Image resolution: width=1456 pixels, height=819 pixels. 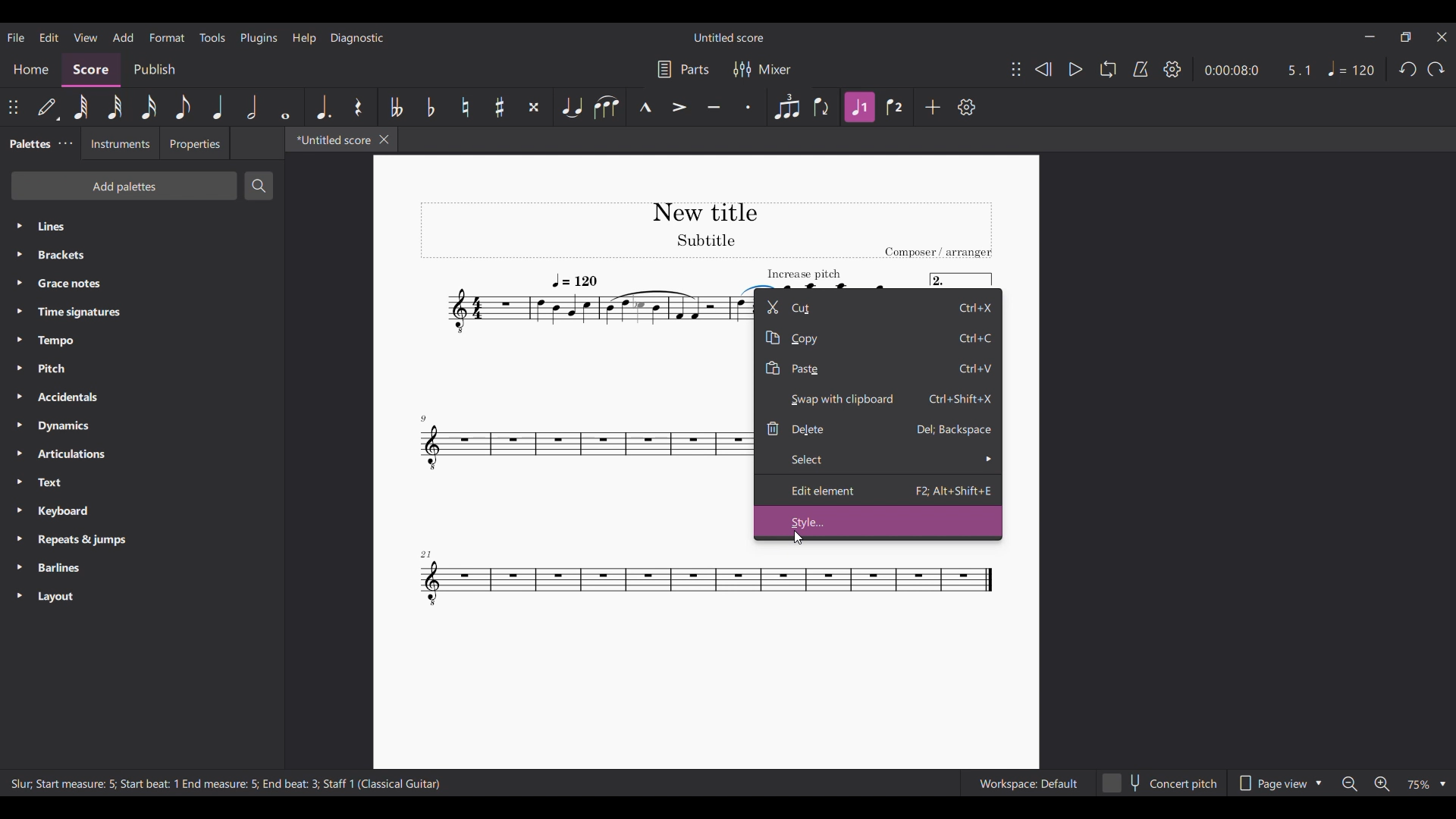 I want to click on Diagnostic menu, so click(x=357, y=39).